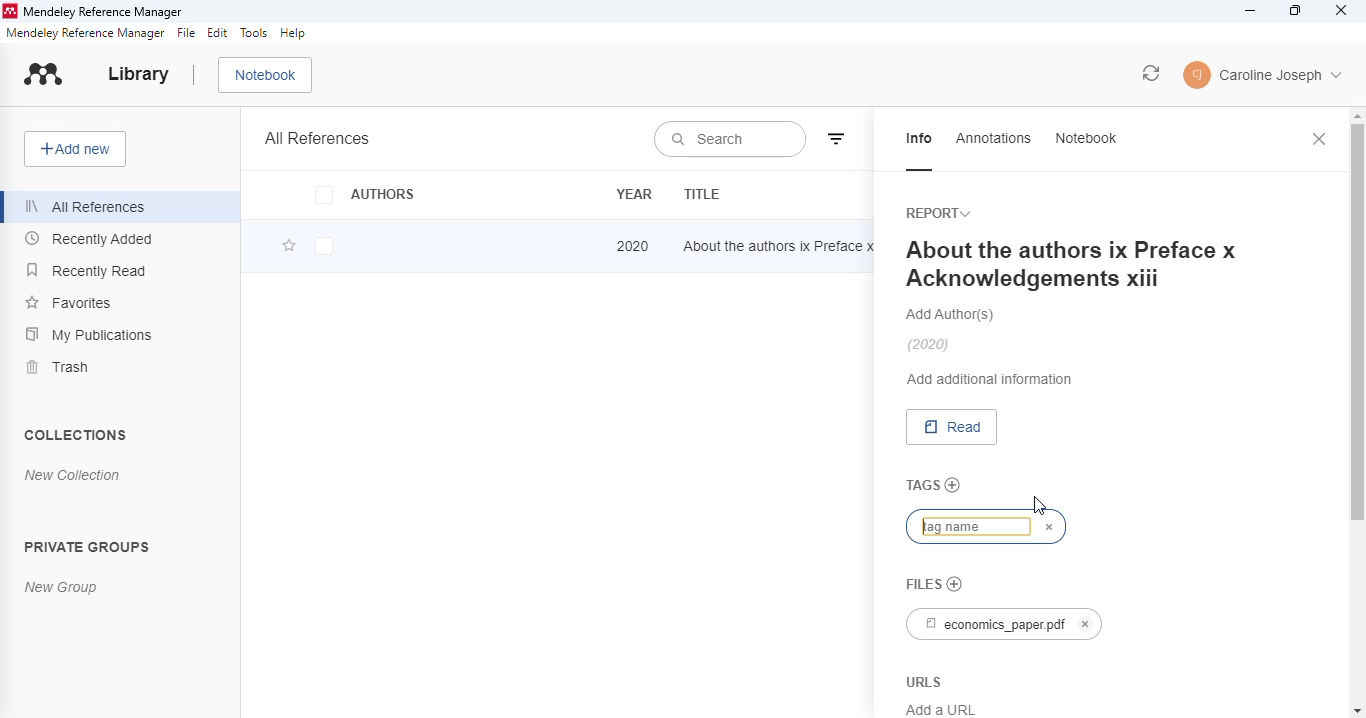 Image resolution: width=1366 pixels, height=718 pixels. Describe the element at coordinates (85, 270) in the screenshot. I see `recently read` at that location.